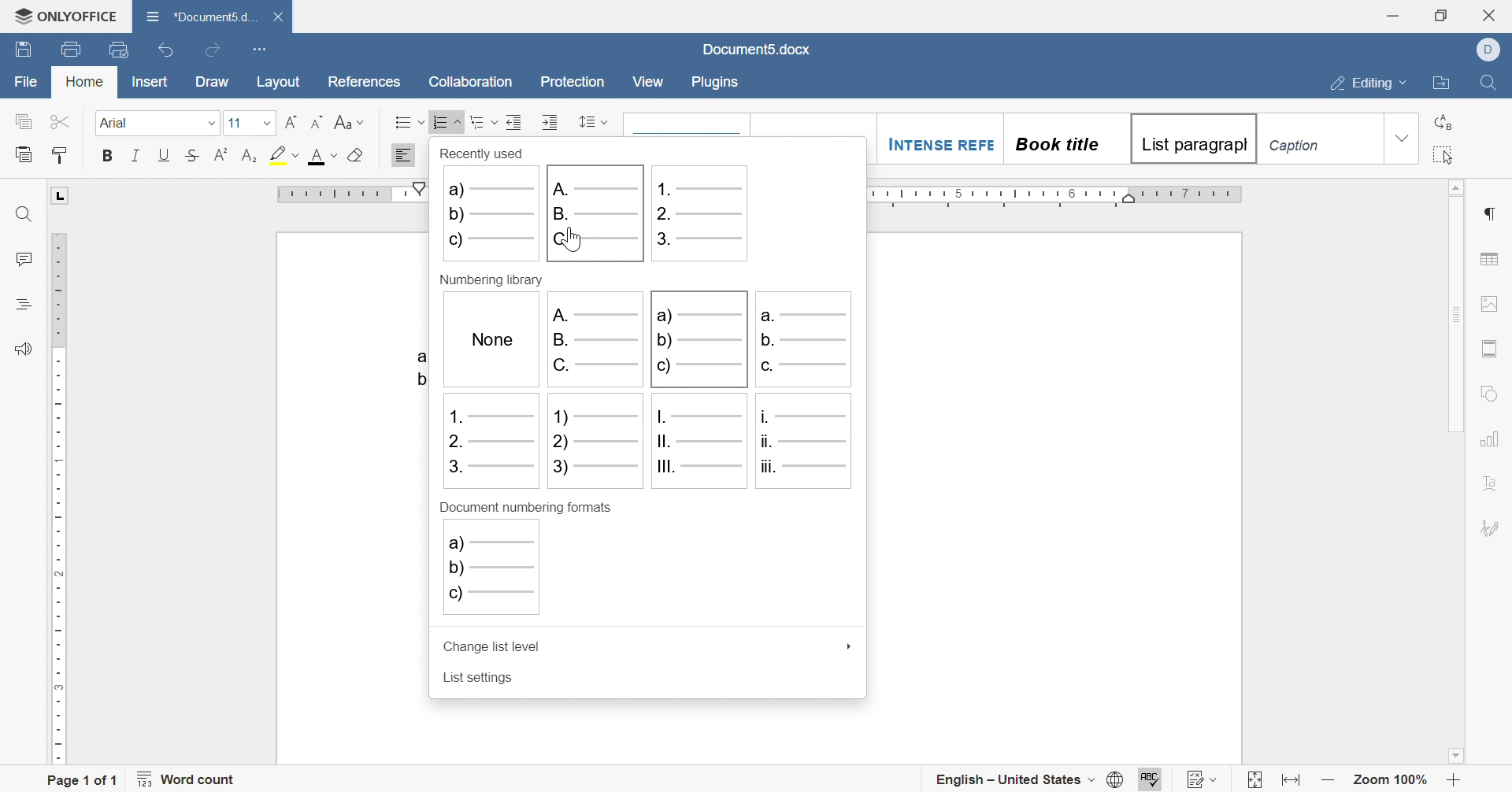 The image size is (1512, 792). What do you see at coordinates (483, 121) in the screenshot?
I see `multilevel numbering` at bounding box center [483, 121].